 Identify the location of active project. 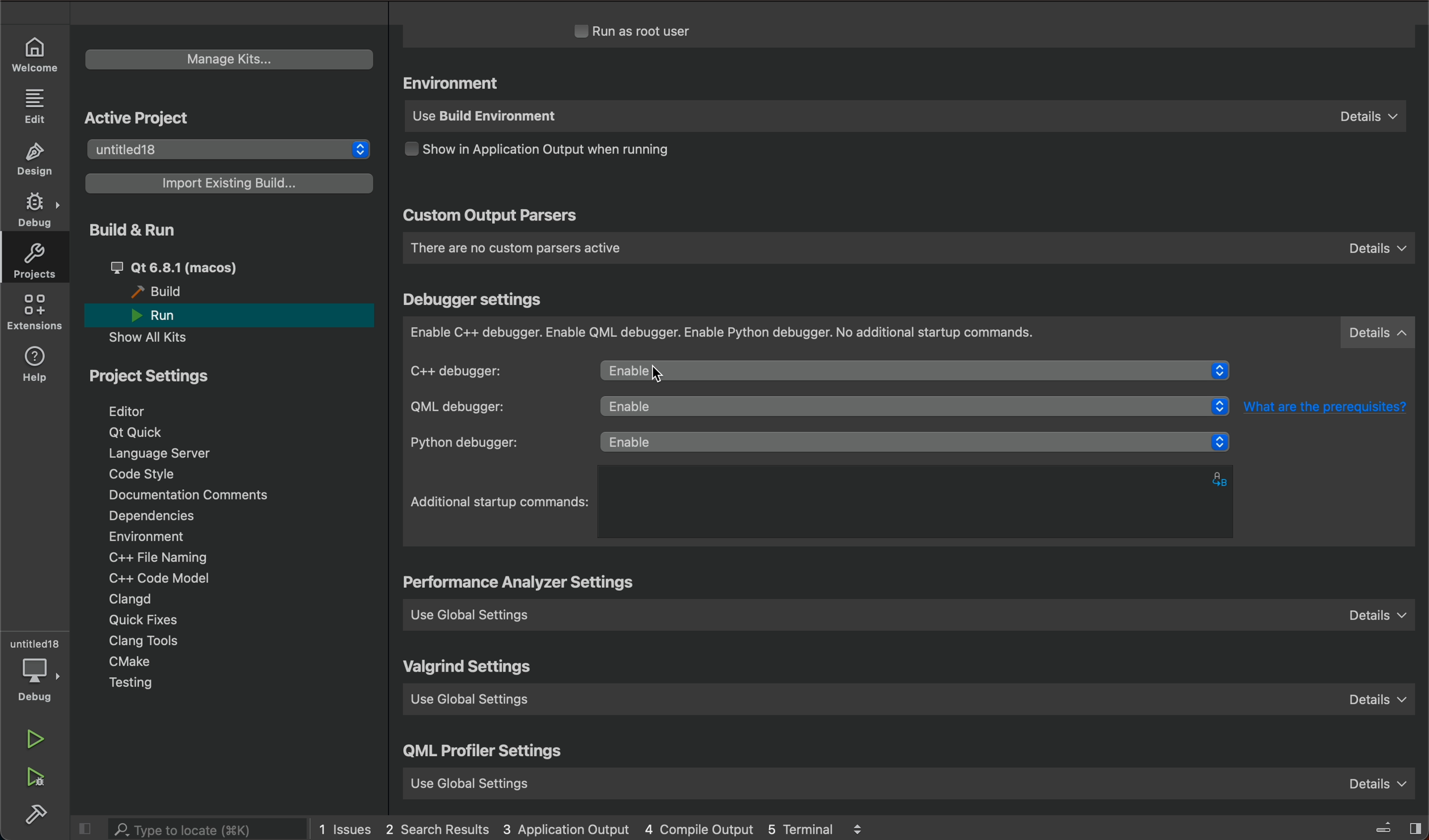
(137, 118).